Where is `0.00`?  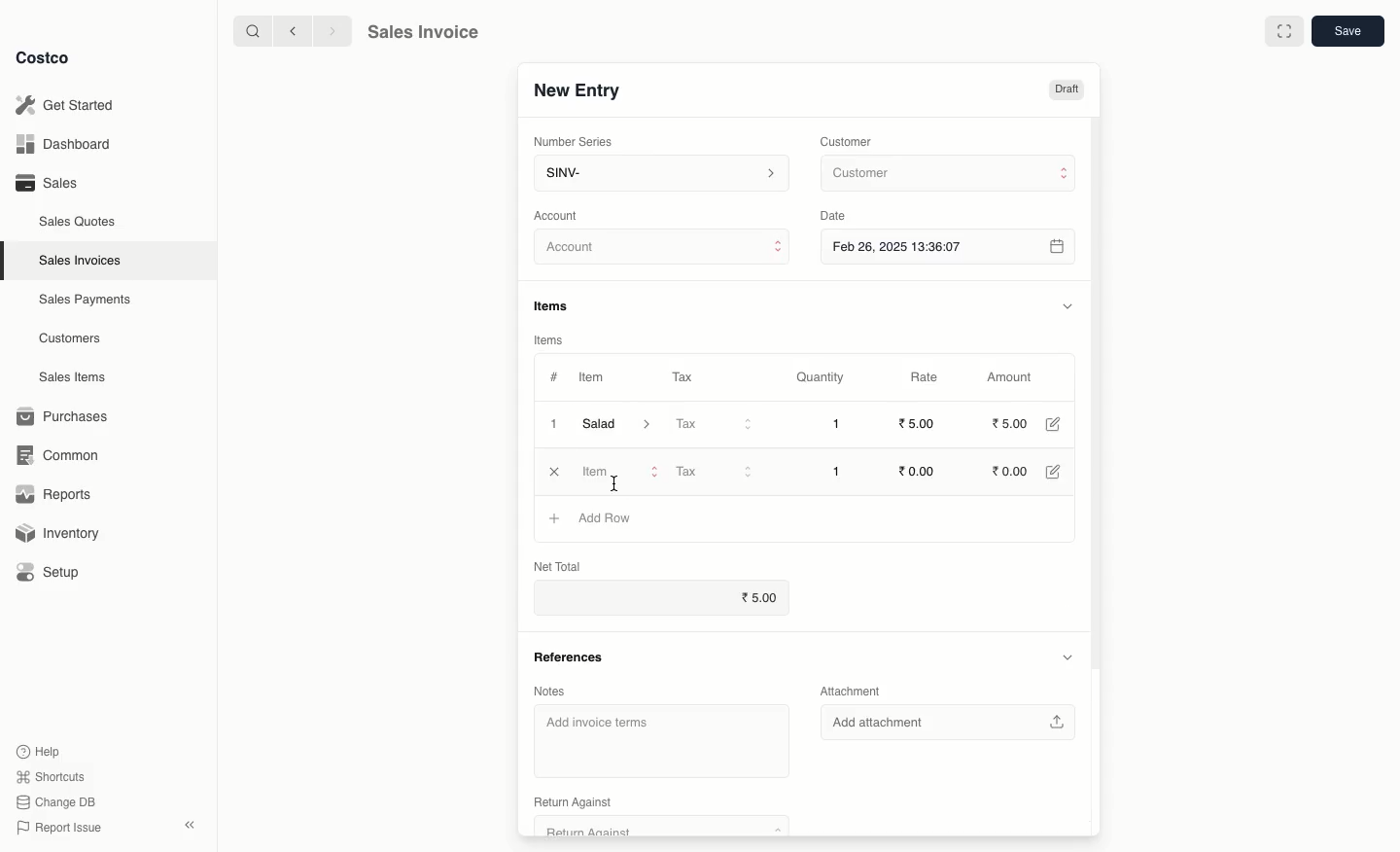 0.00 is located at coordinates (916, 471).